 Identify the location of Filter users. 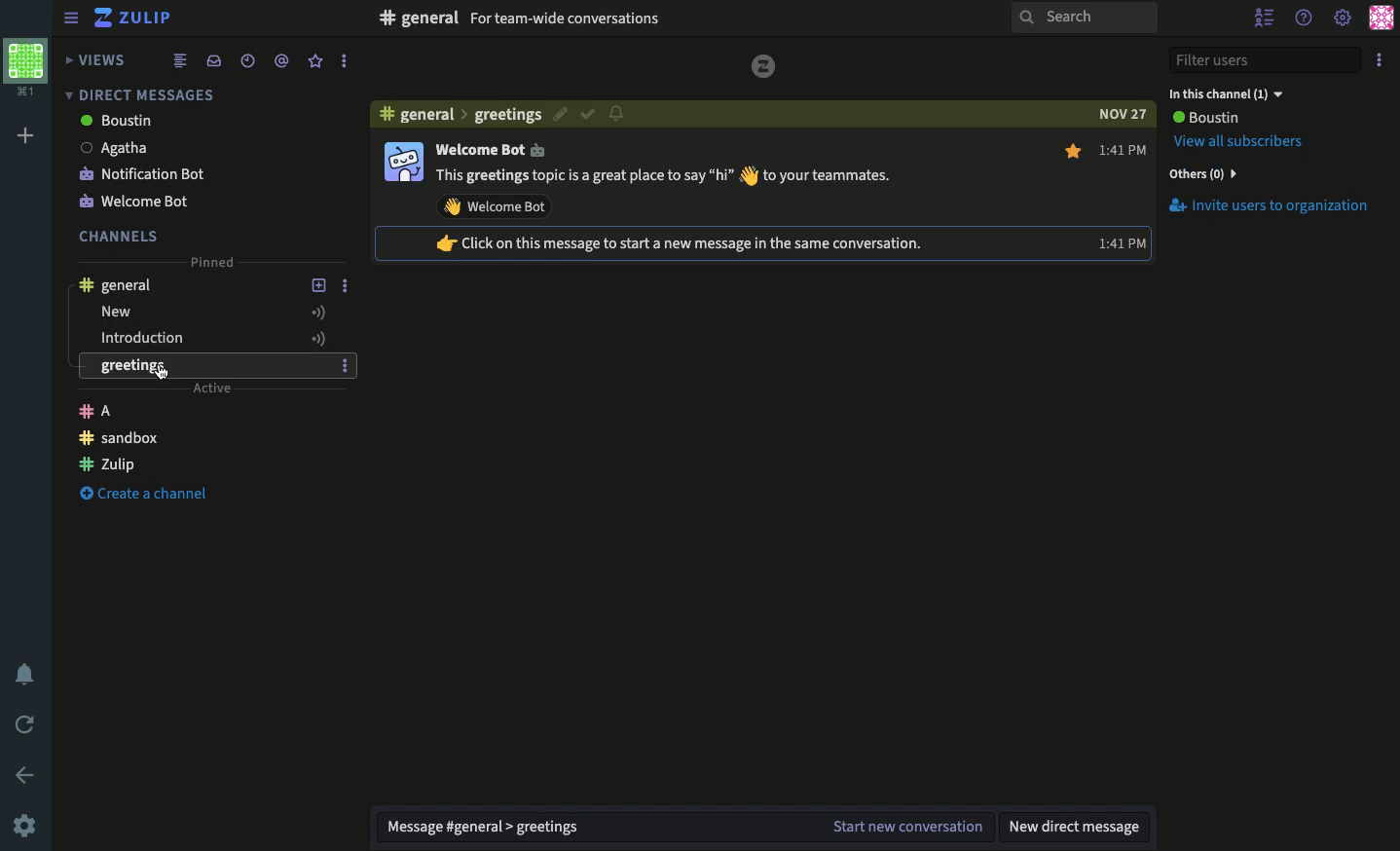
(1266, 61).